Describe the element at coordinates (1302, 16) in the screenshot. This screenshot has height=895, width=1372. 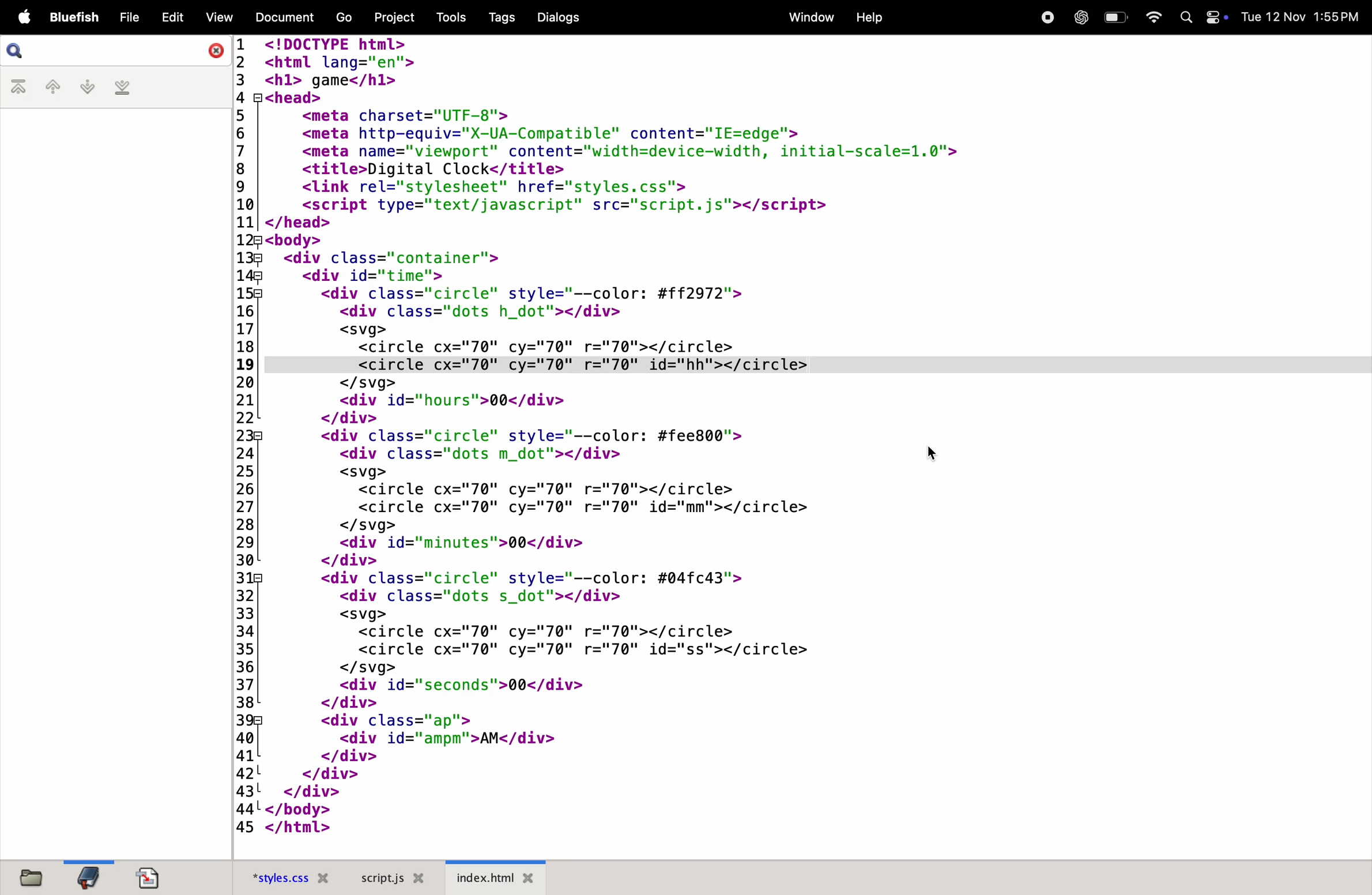
I see `Tue 12 Nov 1:55 PM` at that location.